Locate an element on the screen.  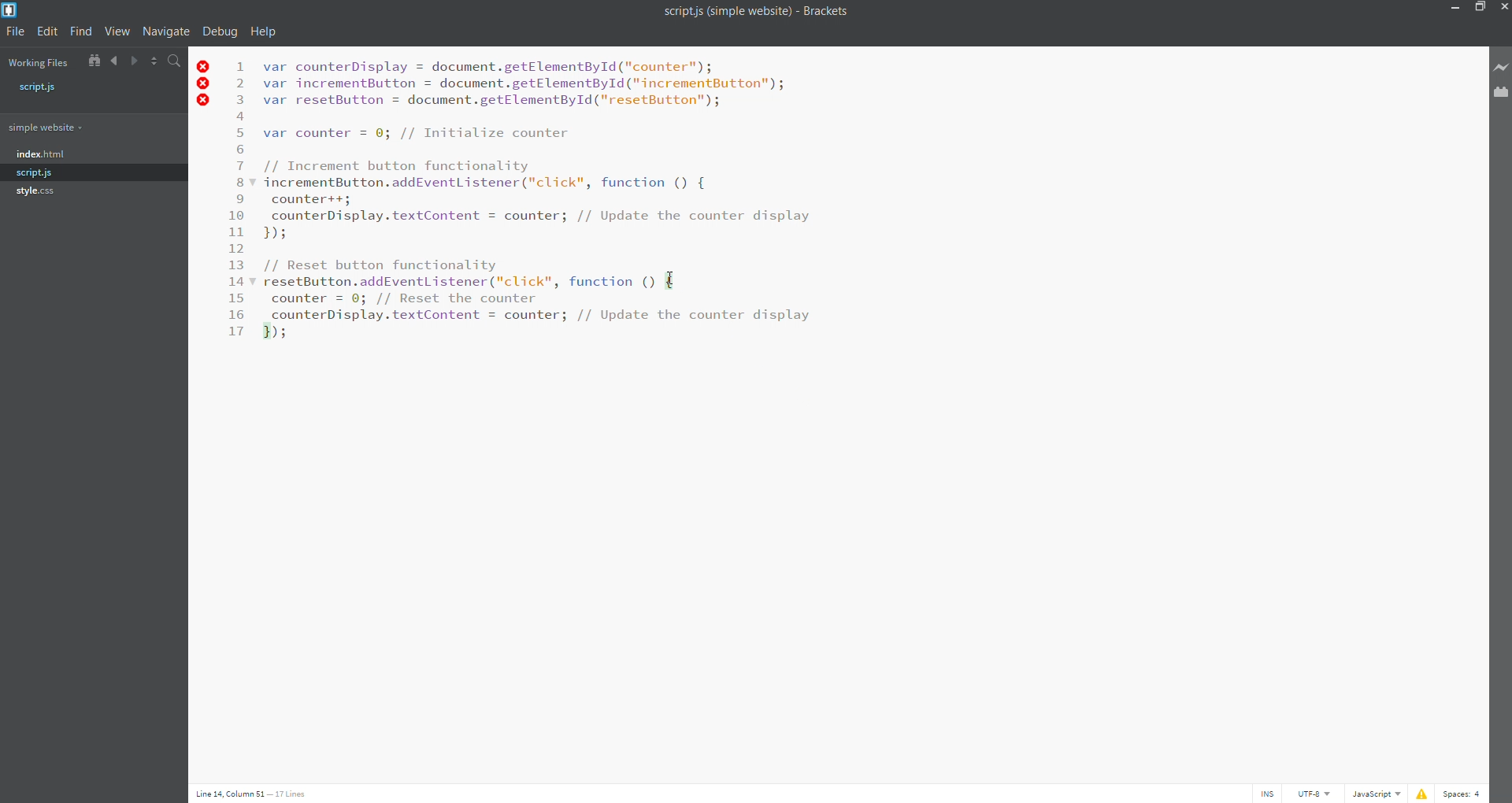
help is located at coordinates (265, 31).